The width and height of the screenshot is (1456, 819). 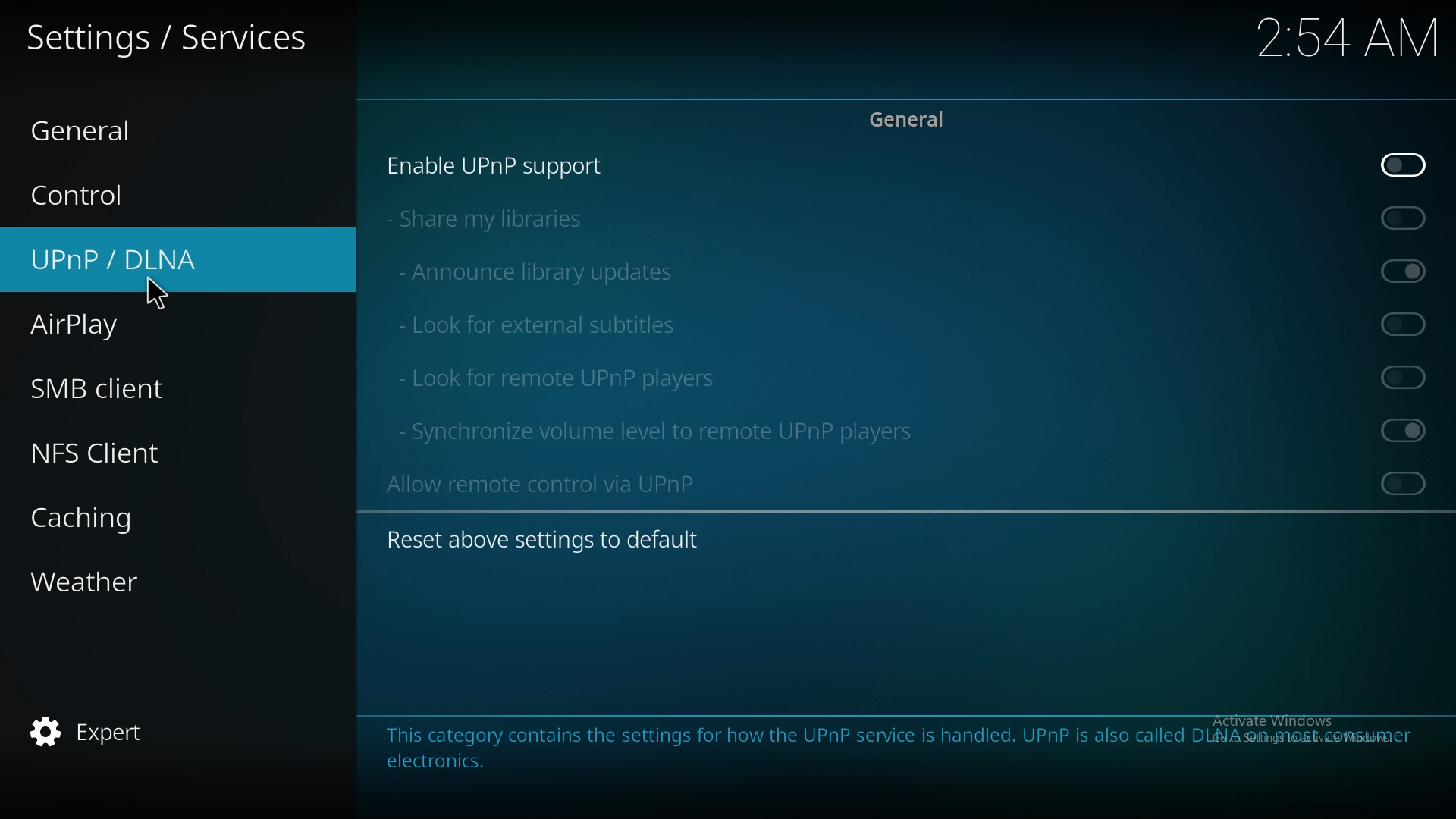 I want to click on general, so click(x=915, y=121).